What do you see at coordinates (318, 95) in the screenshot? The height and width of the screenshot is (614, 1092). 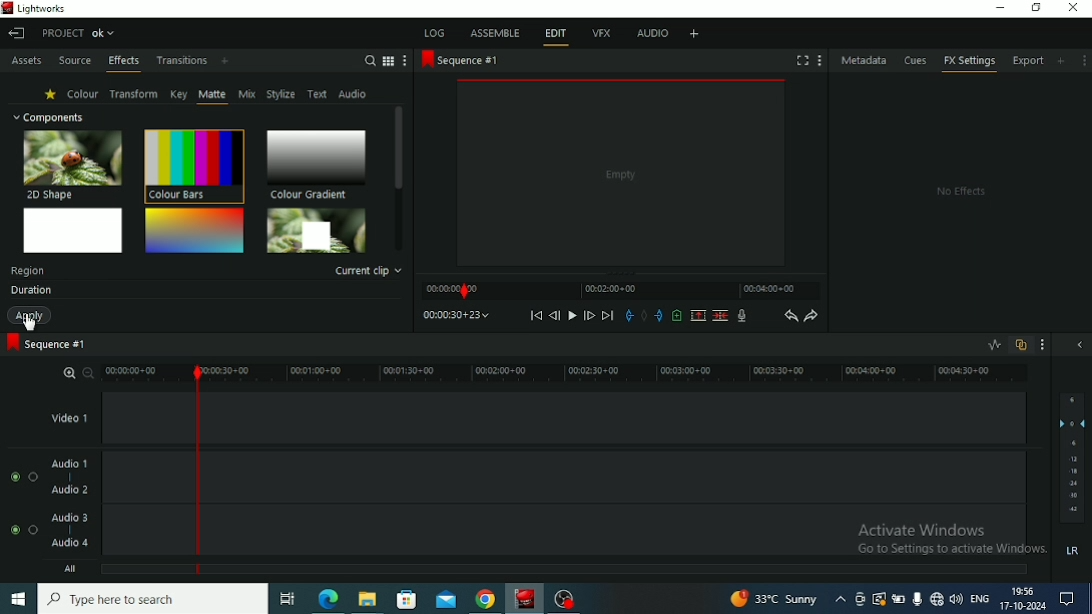 I see `Text` at bounding box center [318, 95].